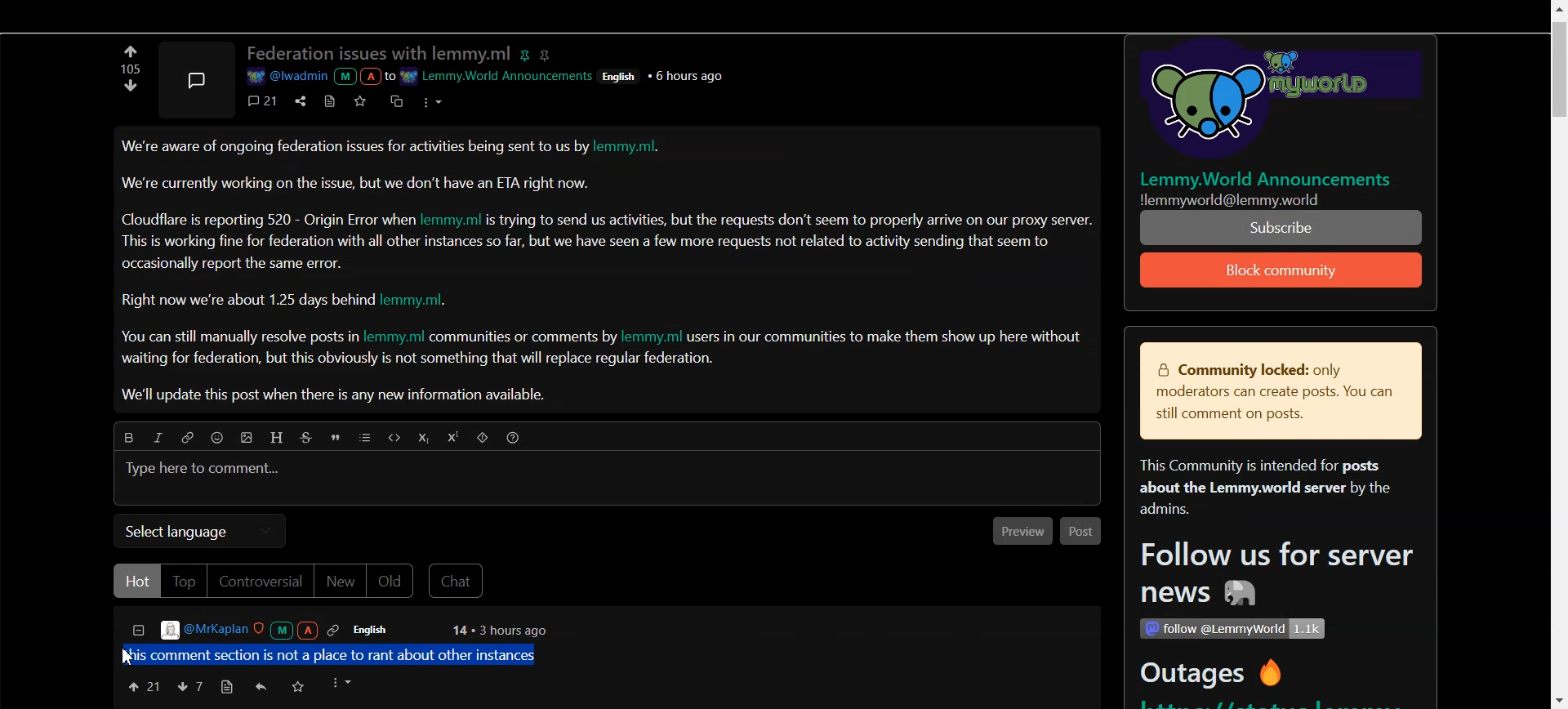  I want to click on Text, so click(127, 69).